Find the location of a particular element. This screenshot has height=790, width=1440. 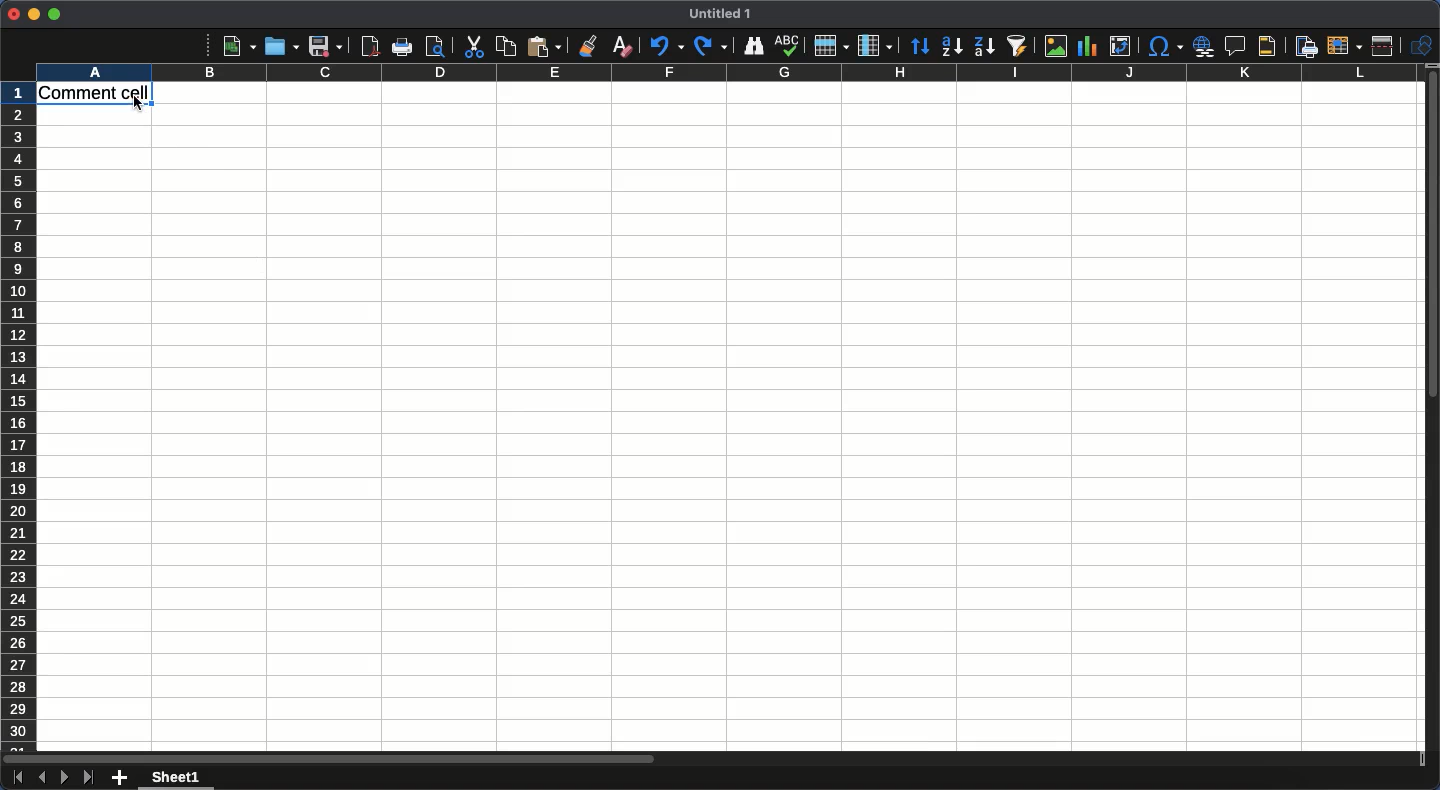

Add new sheet is located at coordinates (118, 778).